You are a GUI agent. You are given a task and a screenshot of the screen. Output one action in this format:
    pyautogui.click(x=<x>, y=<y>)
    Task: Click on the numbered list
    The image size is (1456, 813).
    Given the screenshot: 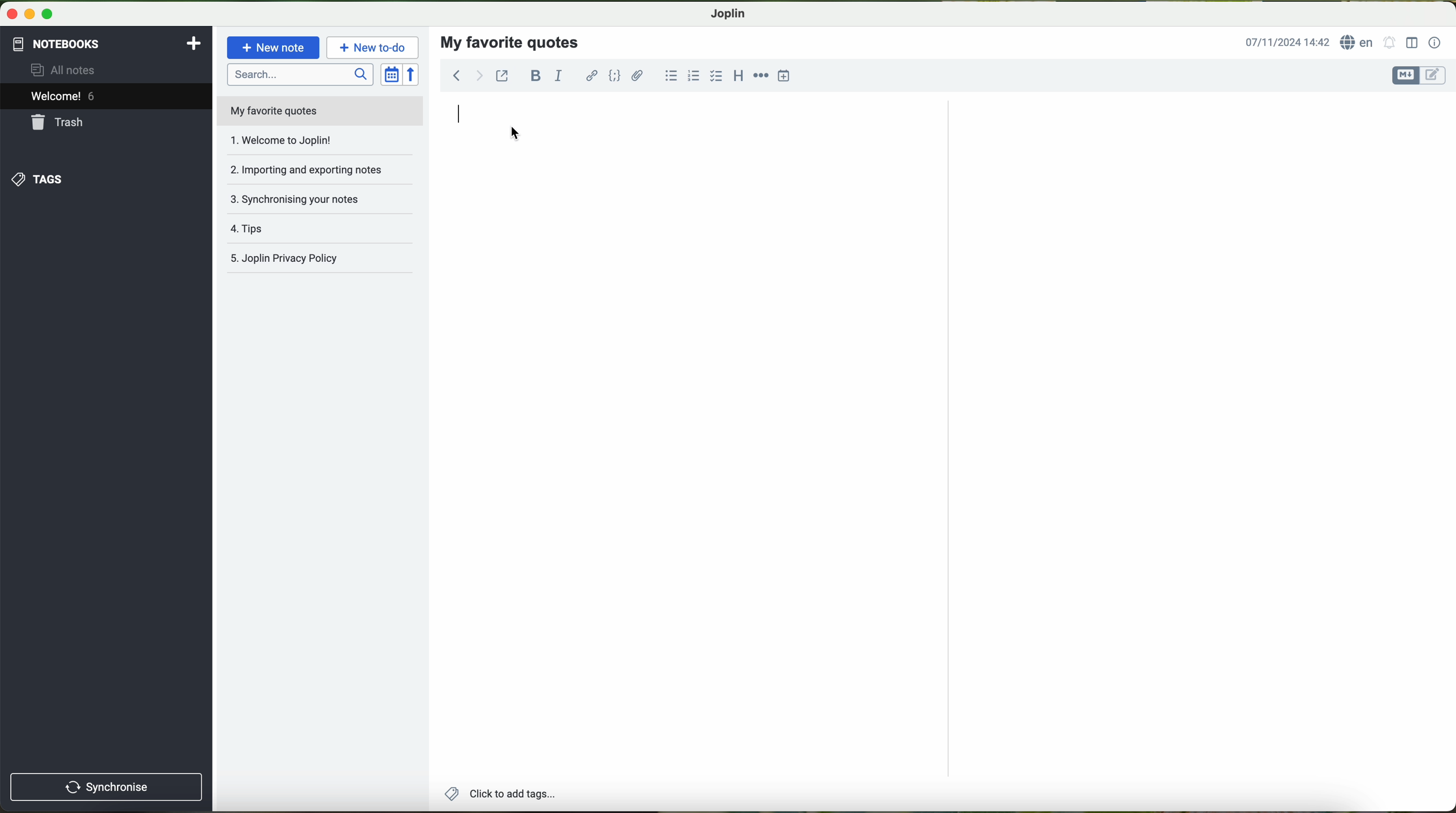 What is the action you would take?
    pyautogui.click(x=694, y=77)
    